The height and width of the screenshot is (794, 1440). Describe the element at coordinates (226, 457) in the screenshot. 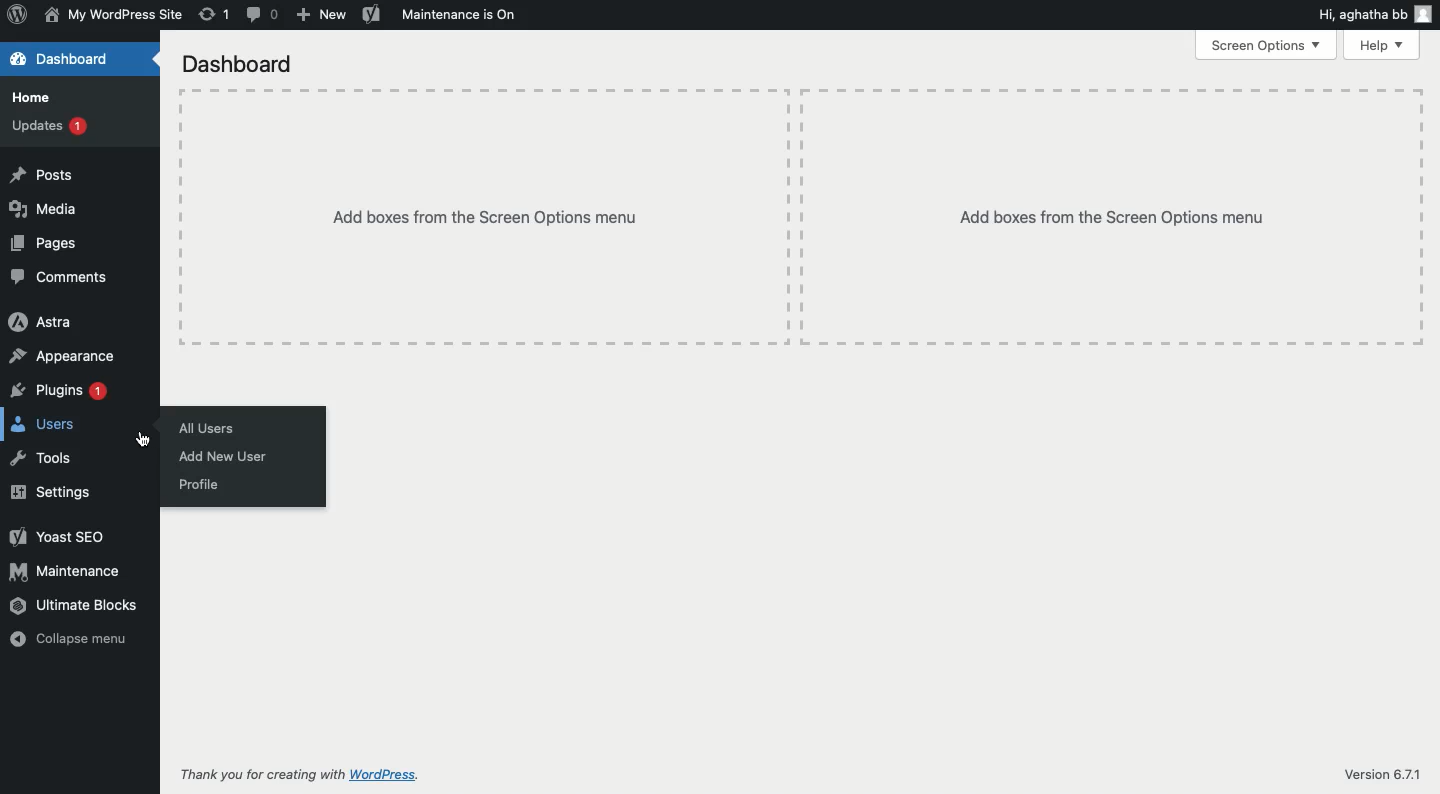

I see `Add new user` at that location.